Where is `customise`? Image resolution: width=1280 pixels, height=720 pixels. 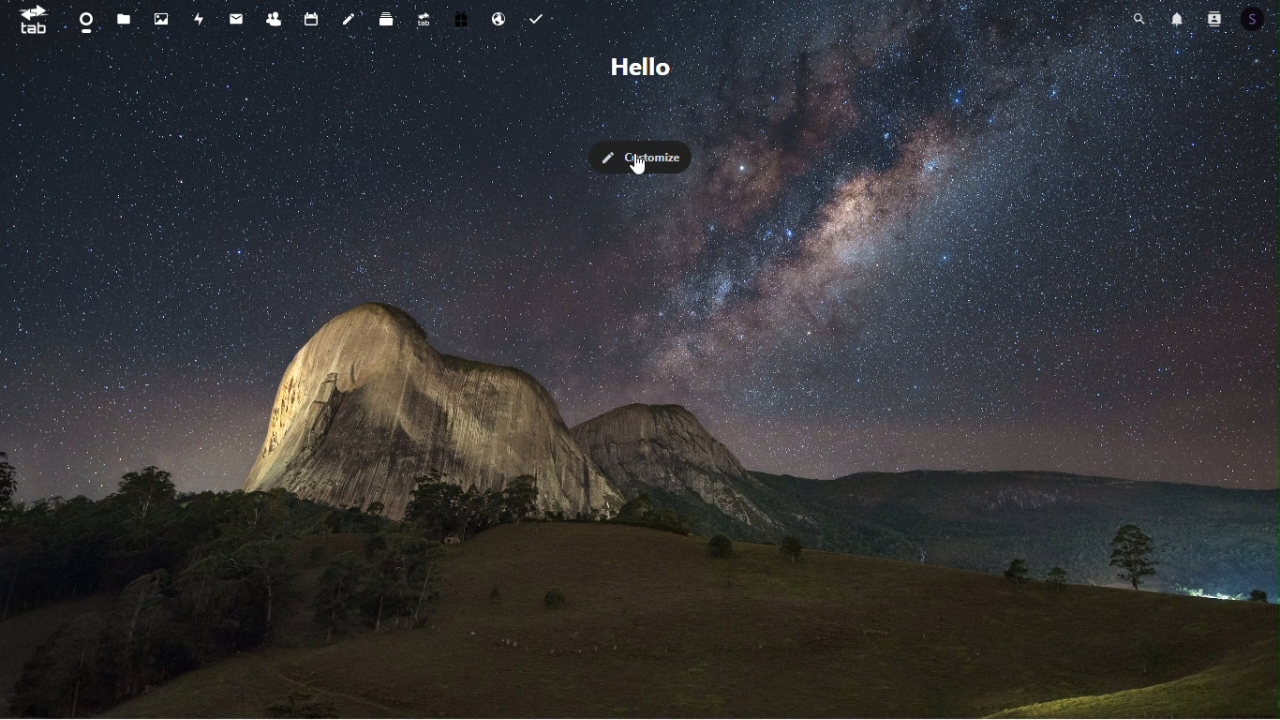
customise is located at coordinates (638, 159).